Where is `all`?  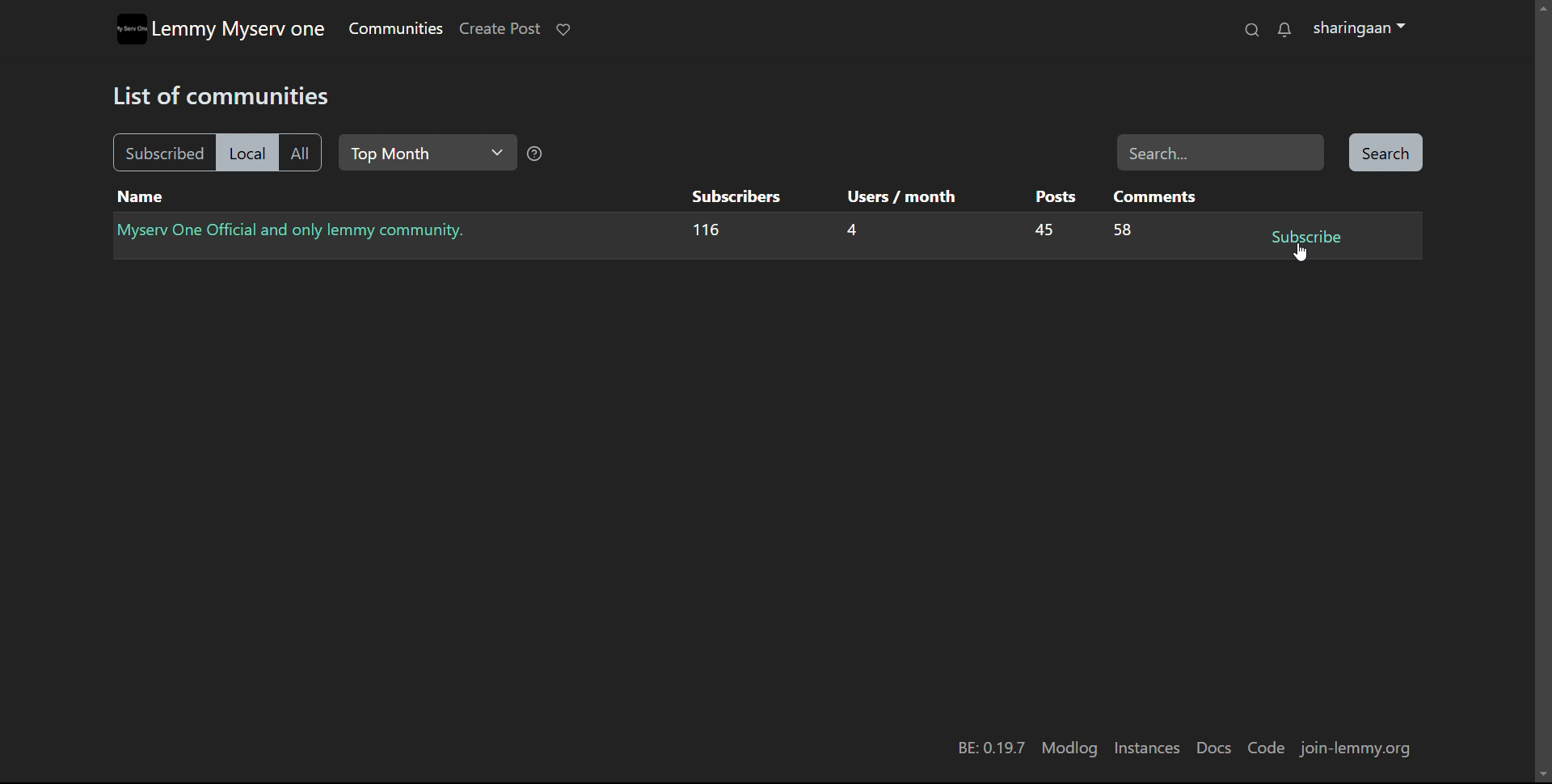
all is located at coordinates (300, 154).